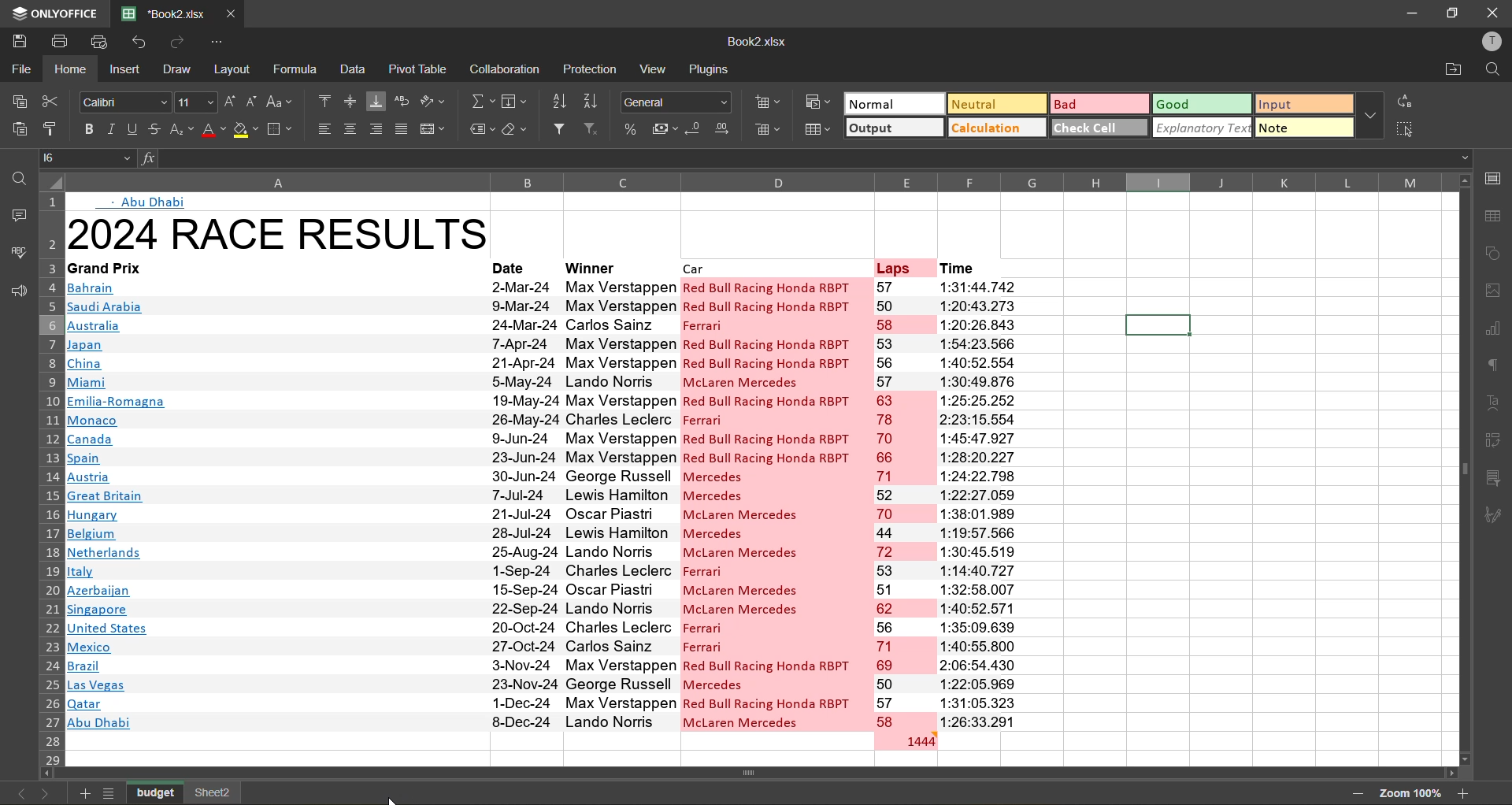 The width and height of the screenshot is (1512, 805). I want to click on pivot table, so click(1495, 443).